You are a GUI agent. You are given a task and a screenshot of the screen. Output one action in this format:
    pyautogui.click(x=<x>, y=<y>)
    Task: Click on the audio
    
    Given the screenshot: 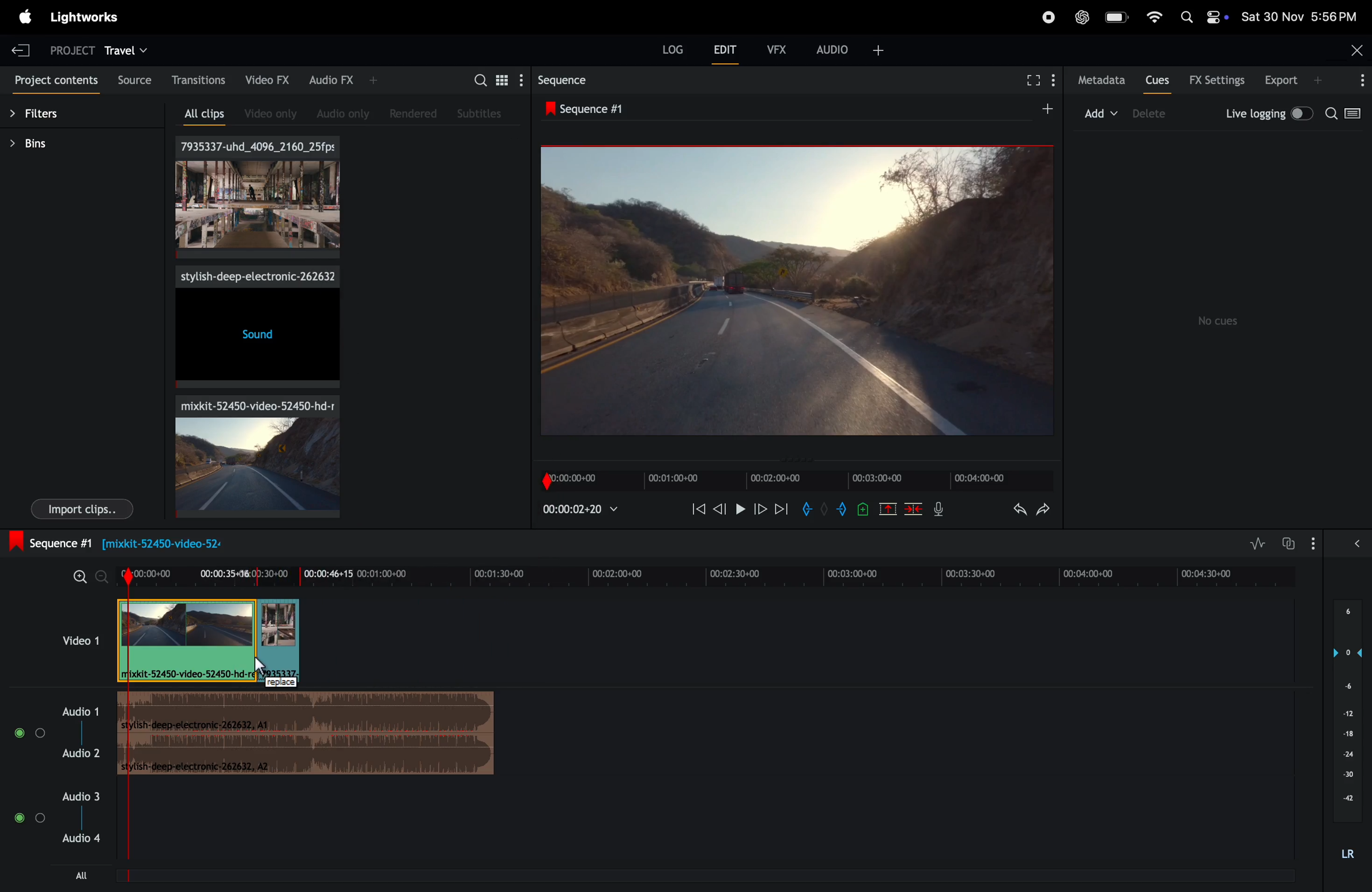 What is the action you would take?
    pyautogui.click(x=850, y=48)
    